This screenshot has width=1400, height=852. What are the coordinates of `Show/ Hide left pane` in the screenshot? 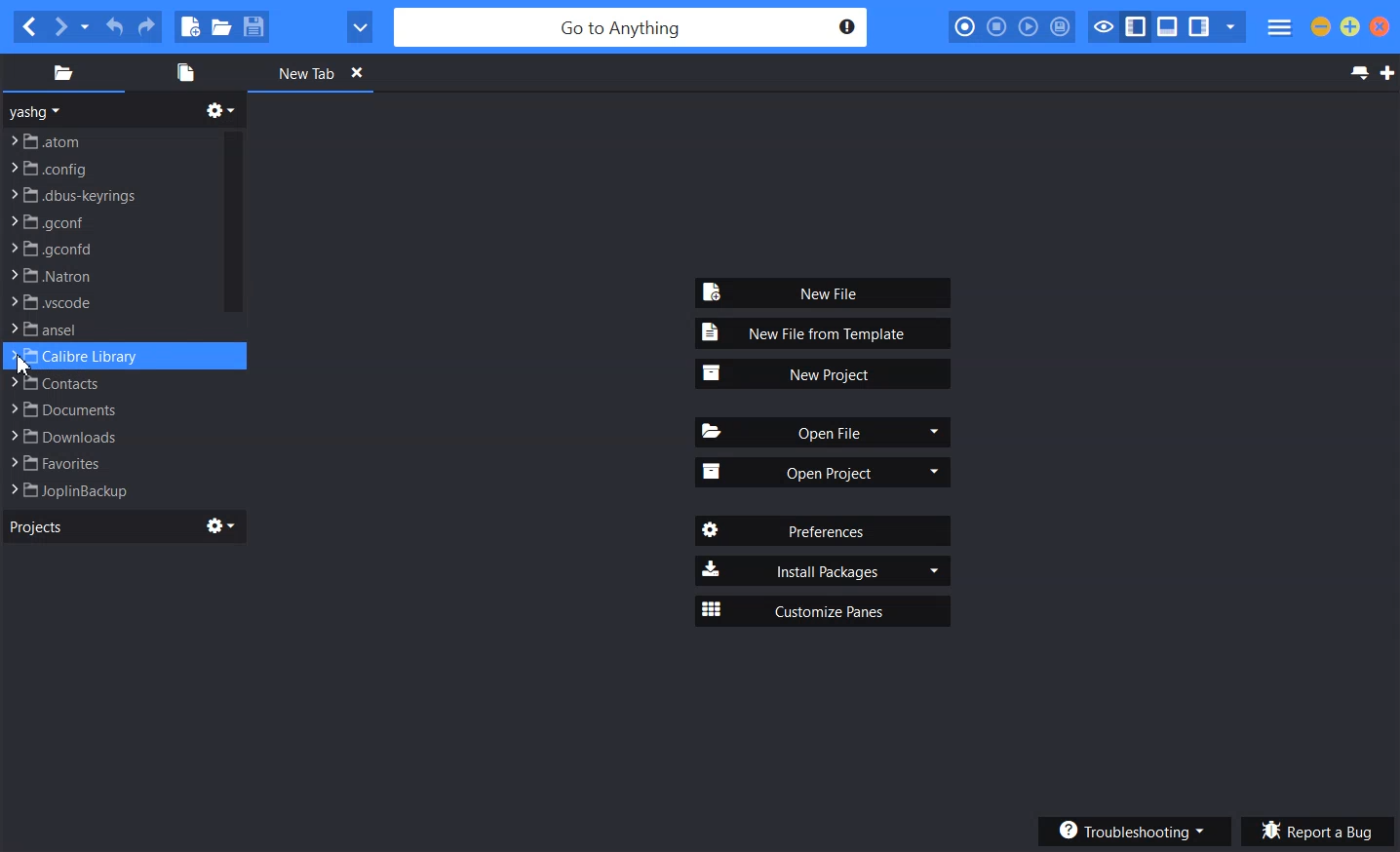 It's located at (1136, 27).